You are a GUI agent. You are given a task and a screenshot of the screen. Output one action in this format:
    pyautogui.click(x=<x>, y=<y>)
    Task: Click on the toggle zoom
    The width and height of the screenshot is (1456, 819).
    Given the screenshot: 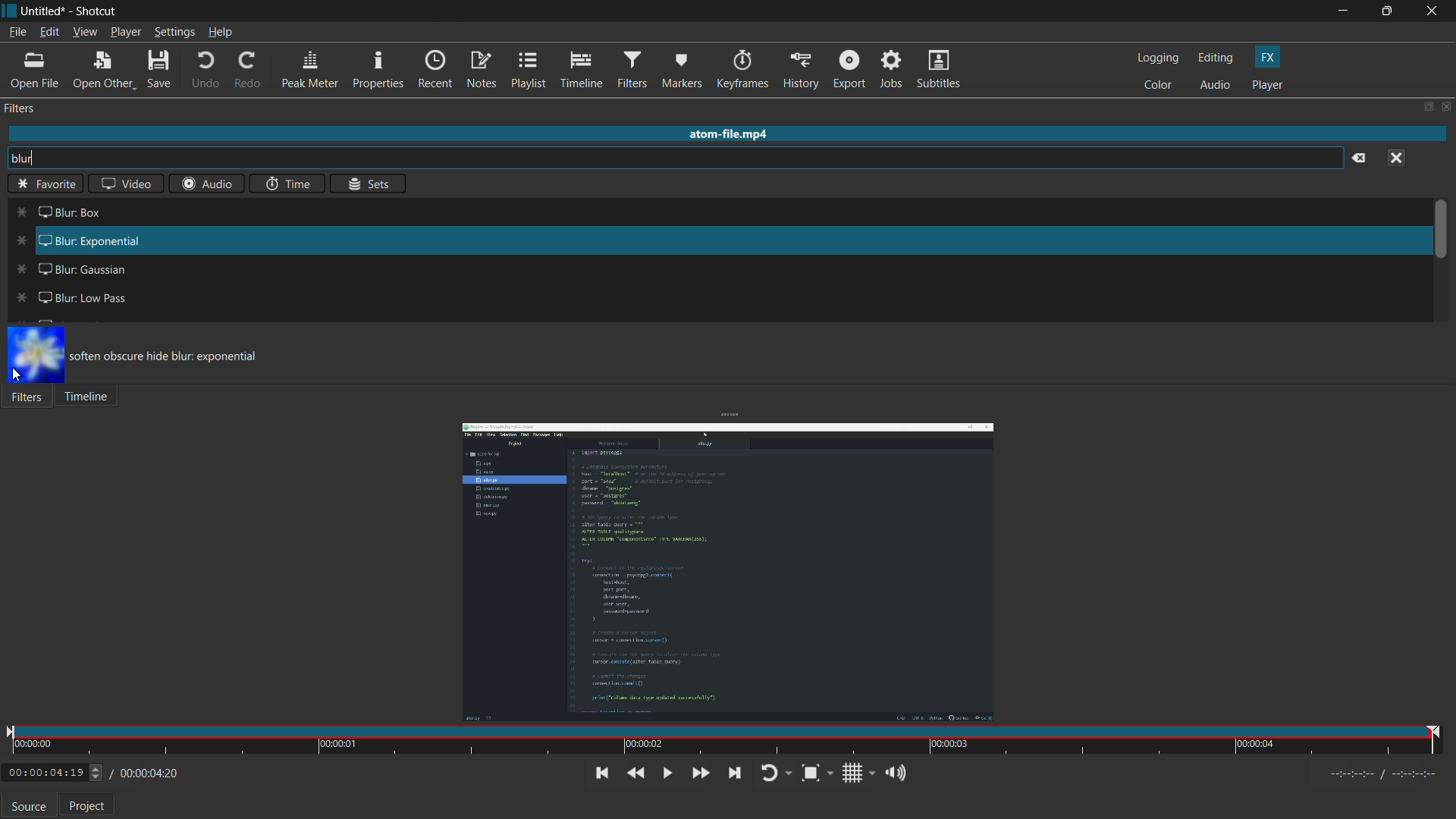 What is the action you would take?
    pyautogui.click(x=817, y=774)
    